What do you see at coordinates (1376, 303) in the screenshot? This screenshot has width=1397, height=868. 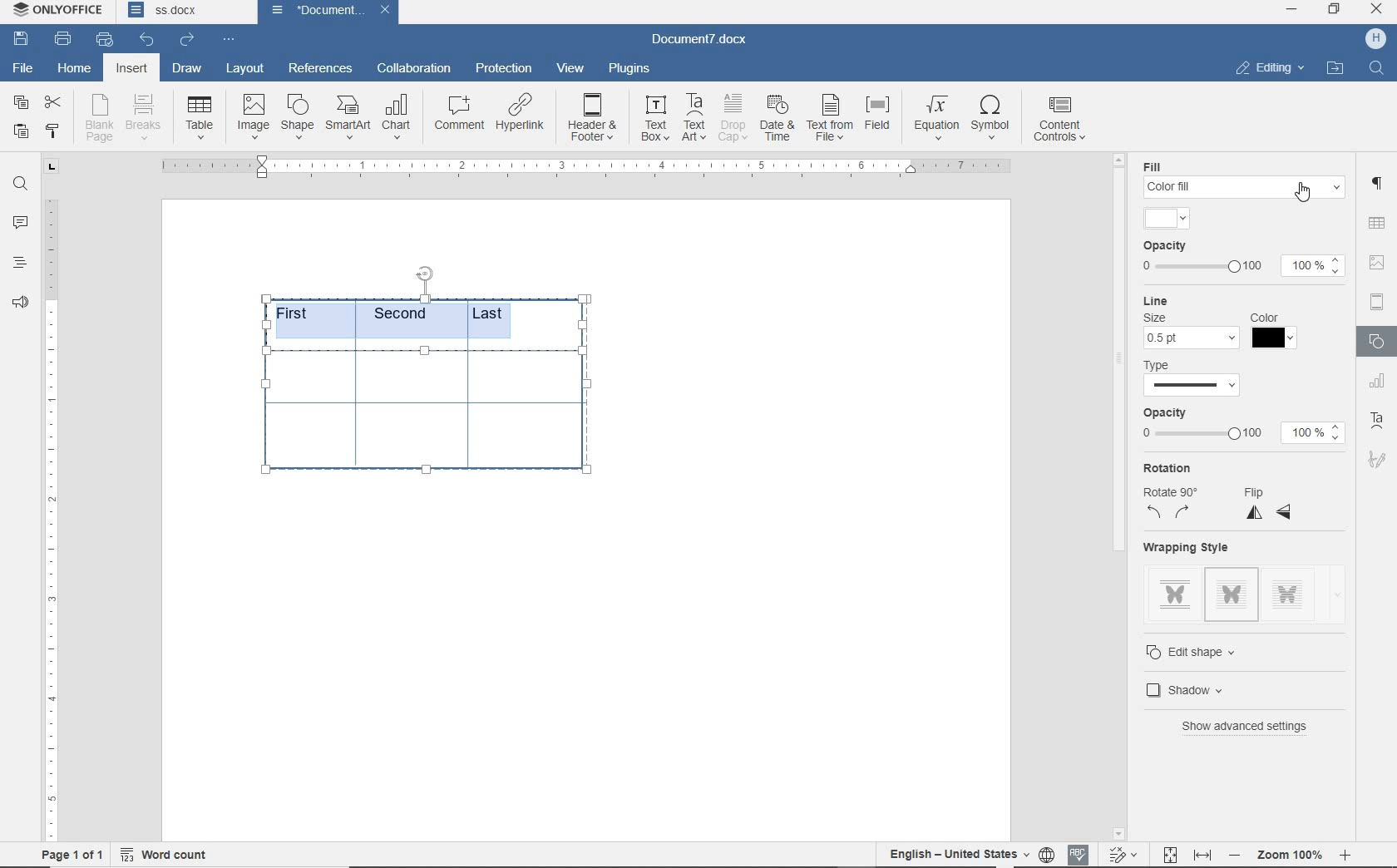 I see `HEADER & FOOTER` at bounding box center [1376, 303].